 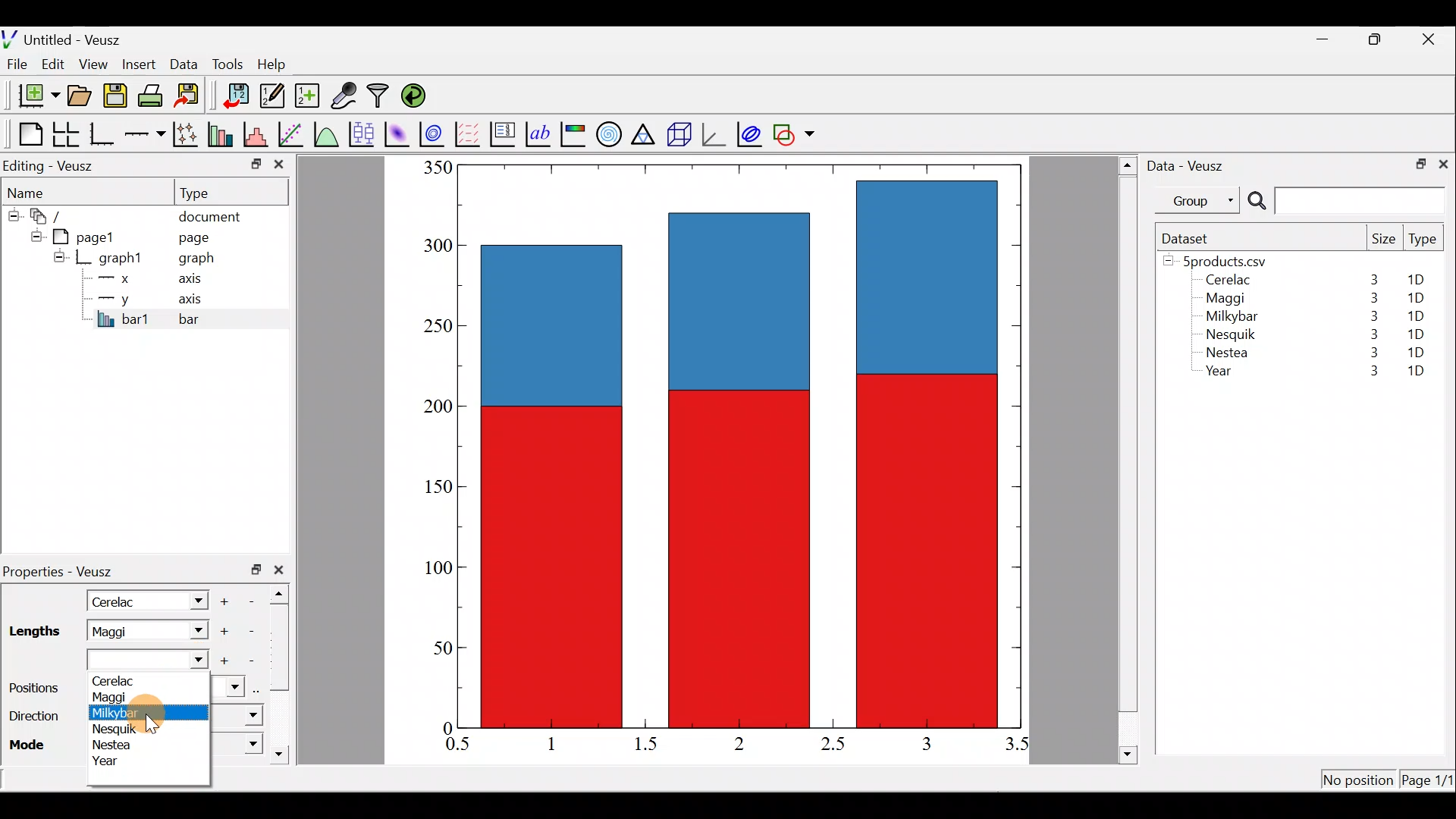 I want to click on minimize, so click(x=255, y=163).